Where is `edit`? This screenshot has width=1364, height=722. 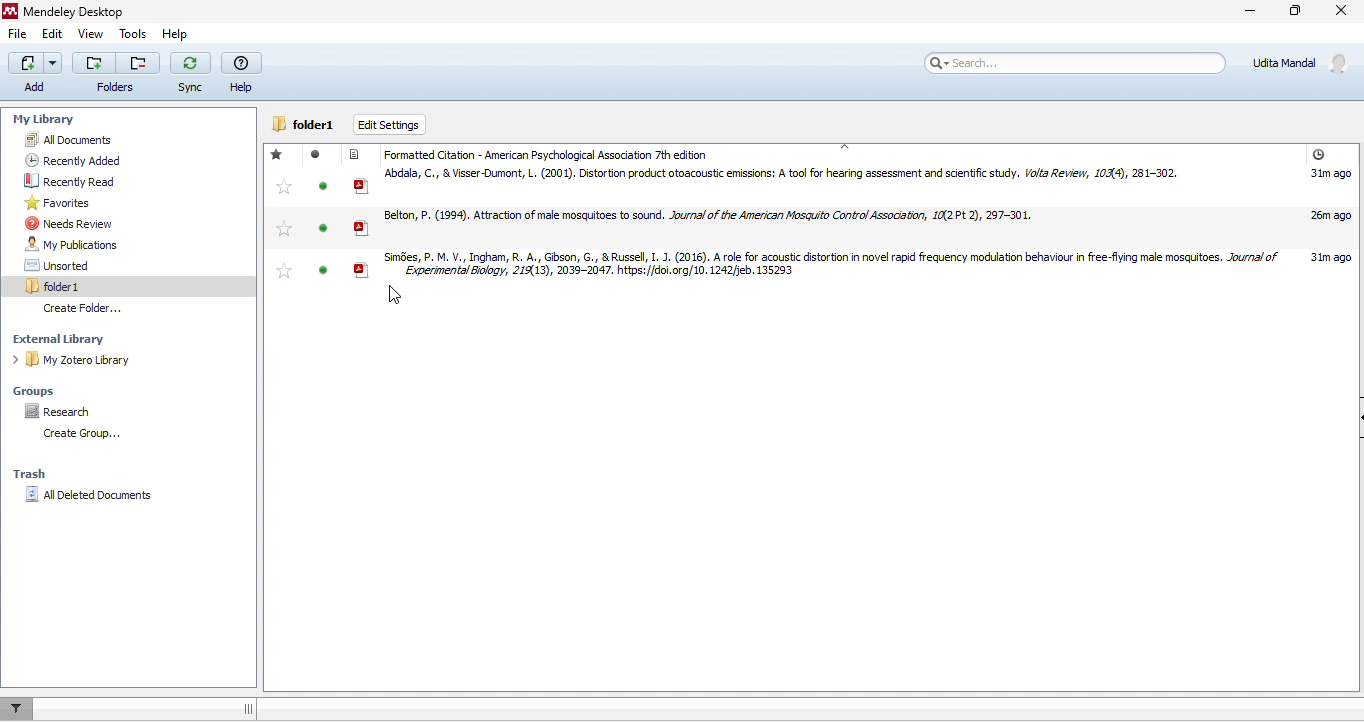 edit is located at coordinates (53, 33).